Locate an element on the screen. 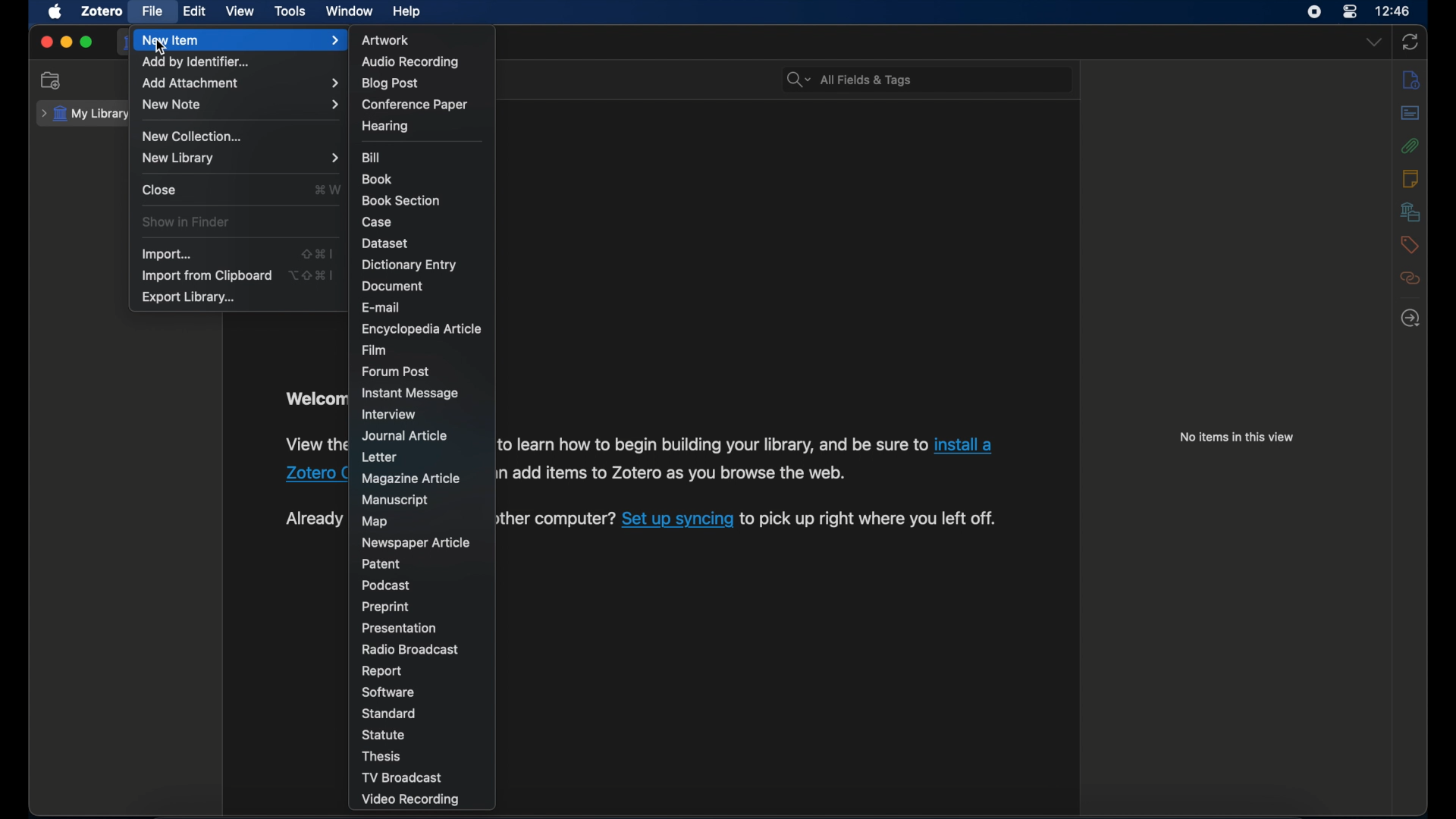 The height and width of the screenshot is (819, 1456). add attachment is located at coordinates (240, 83).